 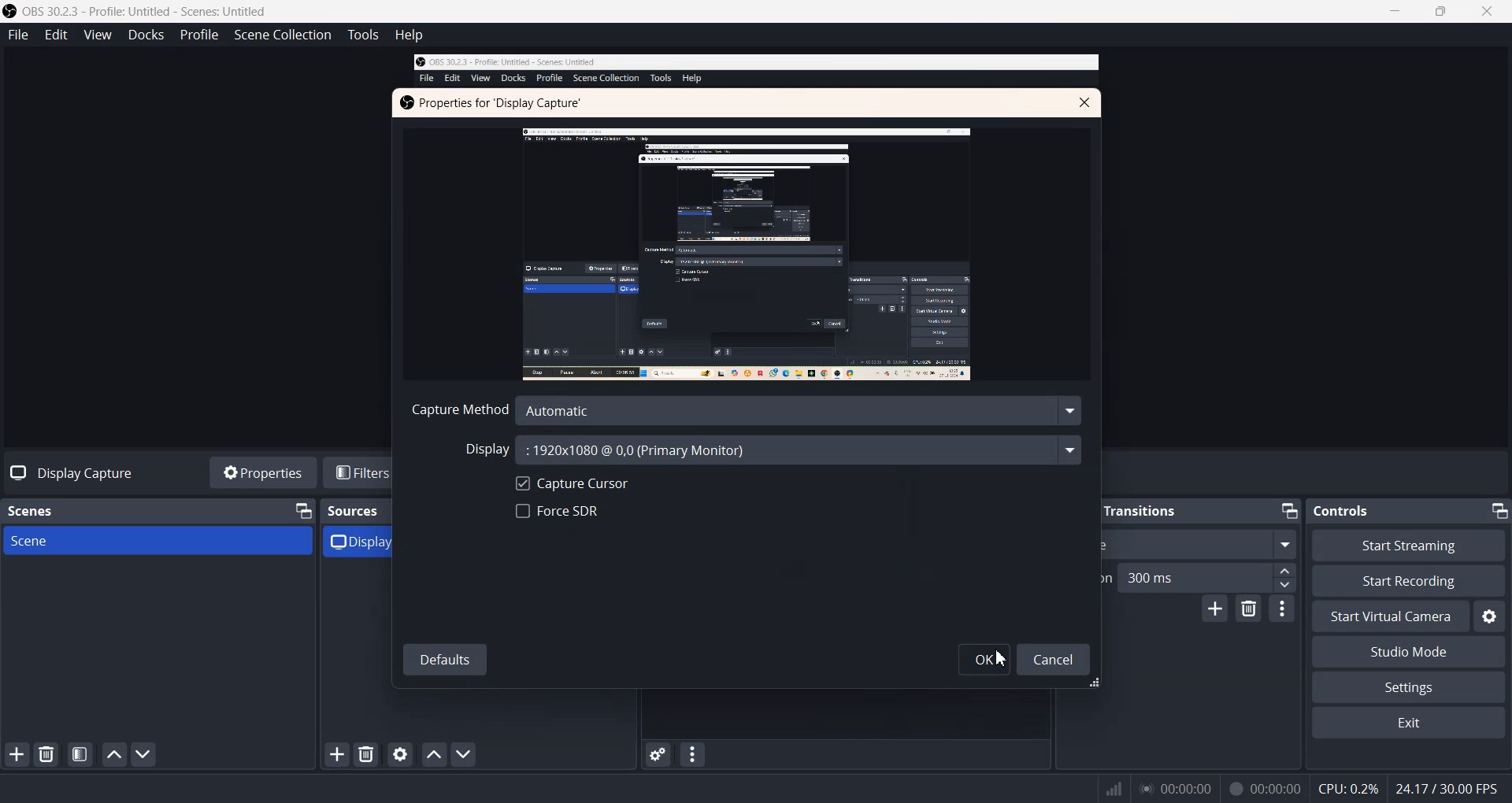 What do you see at coordinates (1287, 511) in the screenshot?
I see `Minimize` at bounding box center [1287, 511].